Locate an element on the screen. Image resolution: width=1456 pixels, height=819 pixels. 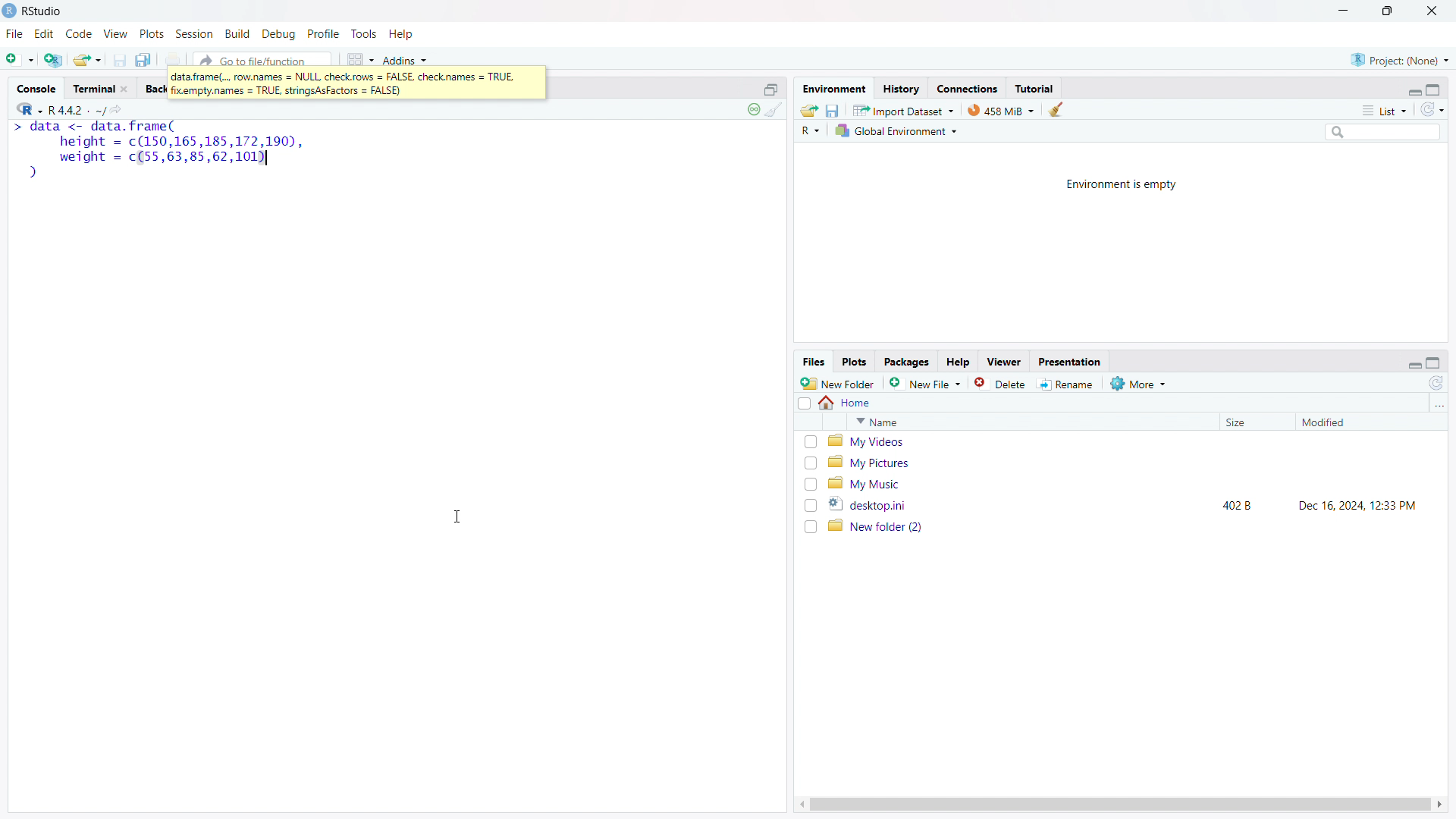
minimize is located at coordinates (1341, 11).